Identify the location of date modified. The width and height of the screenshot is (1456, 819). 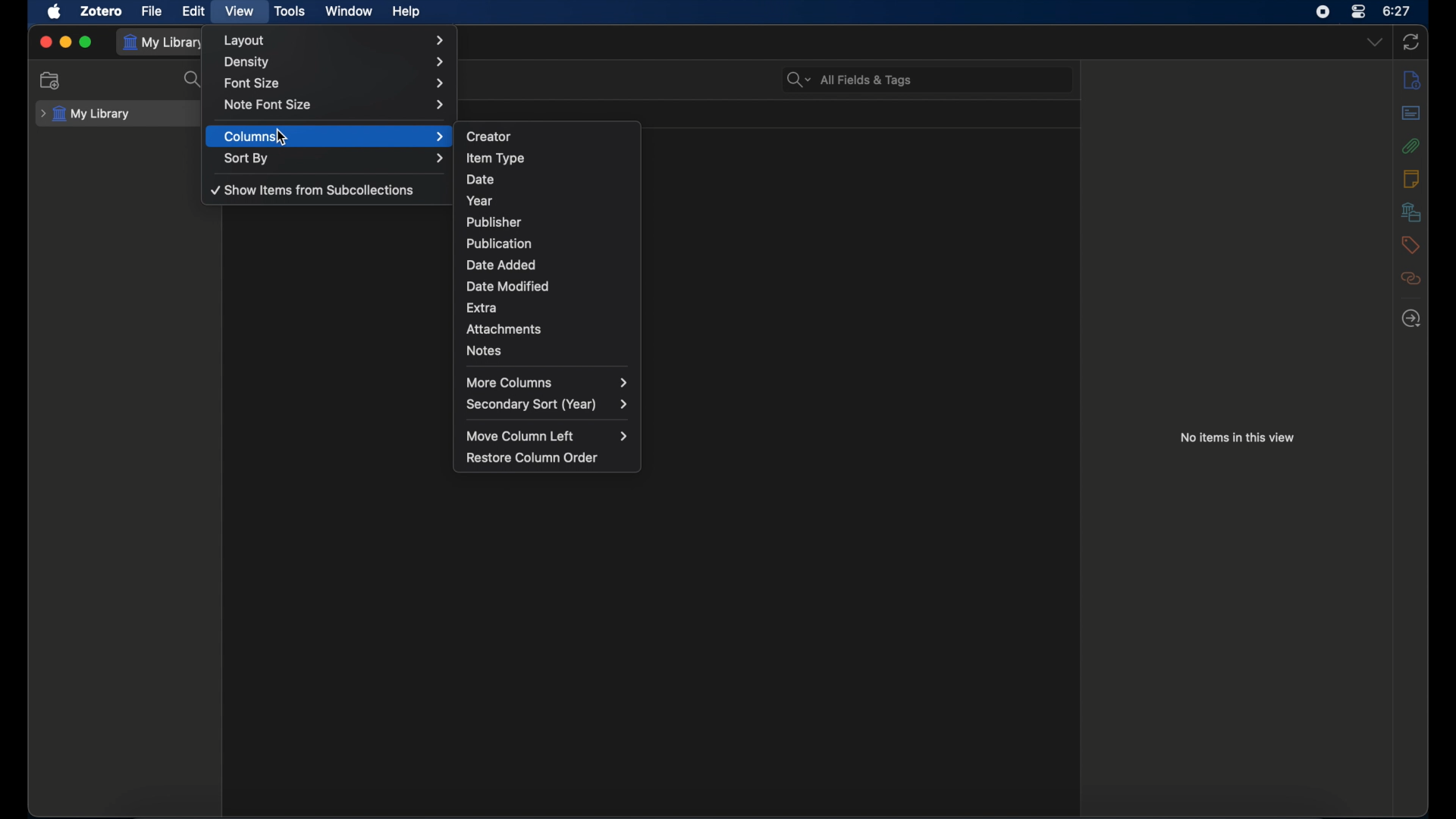
(508, 286).